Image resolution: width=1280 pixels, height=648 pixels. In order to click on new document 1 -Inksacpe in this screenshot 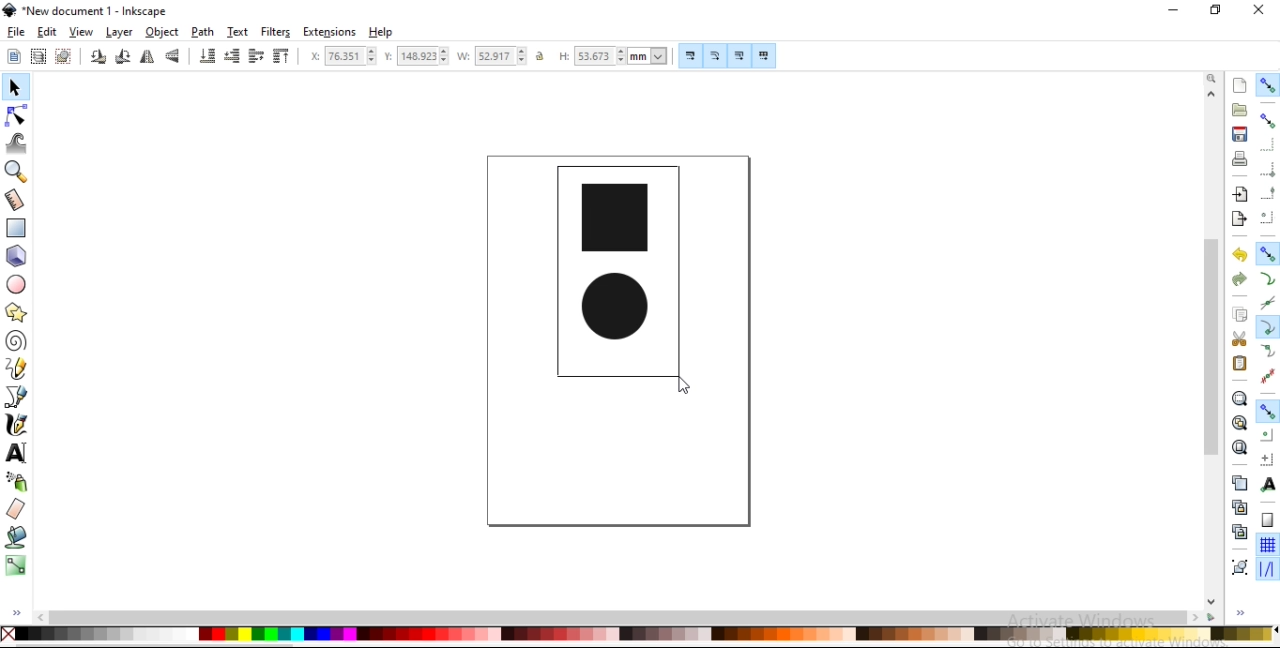, I will do `click(92, 11)`.